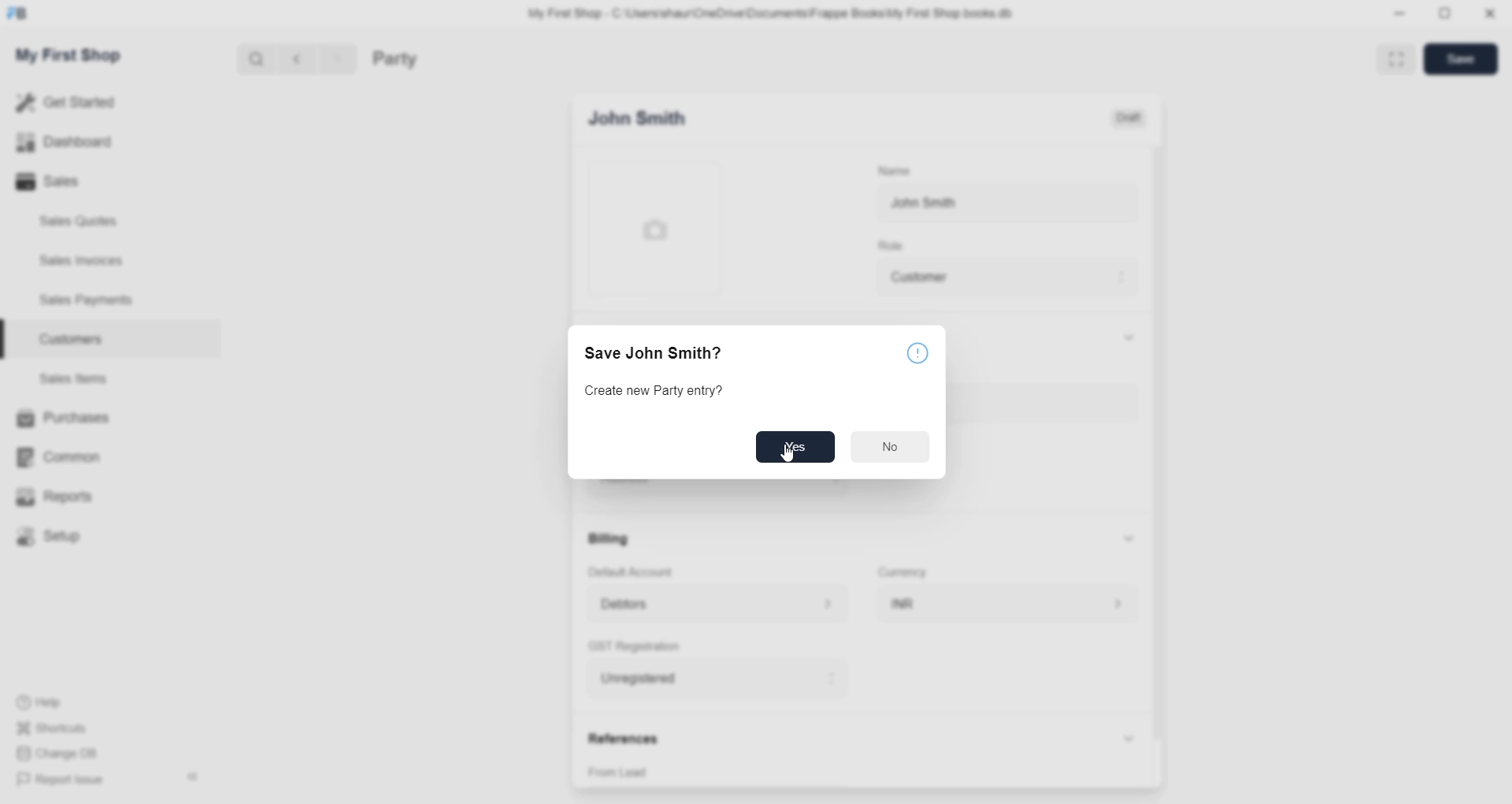 The image size is (1512, 804). Describe the element at coordinates (835, 609) in the screenshot. I see `move to below account` at that location.